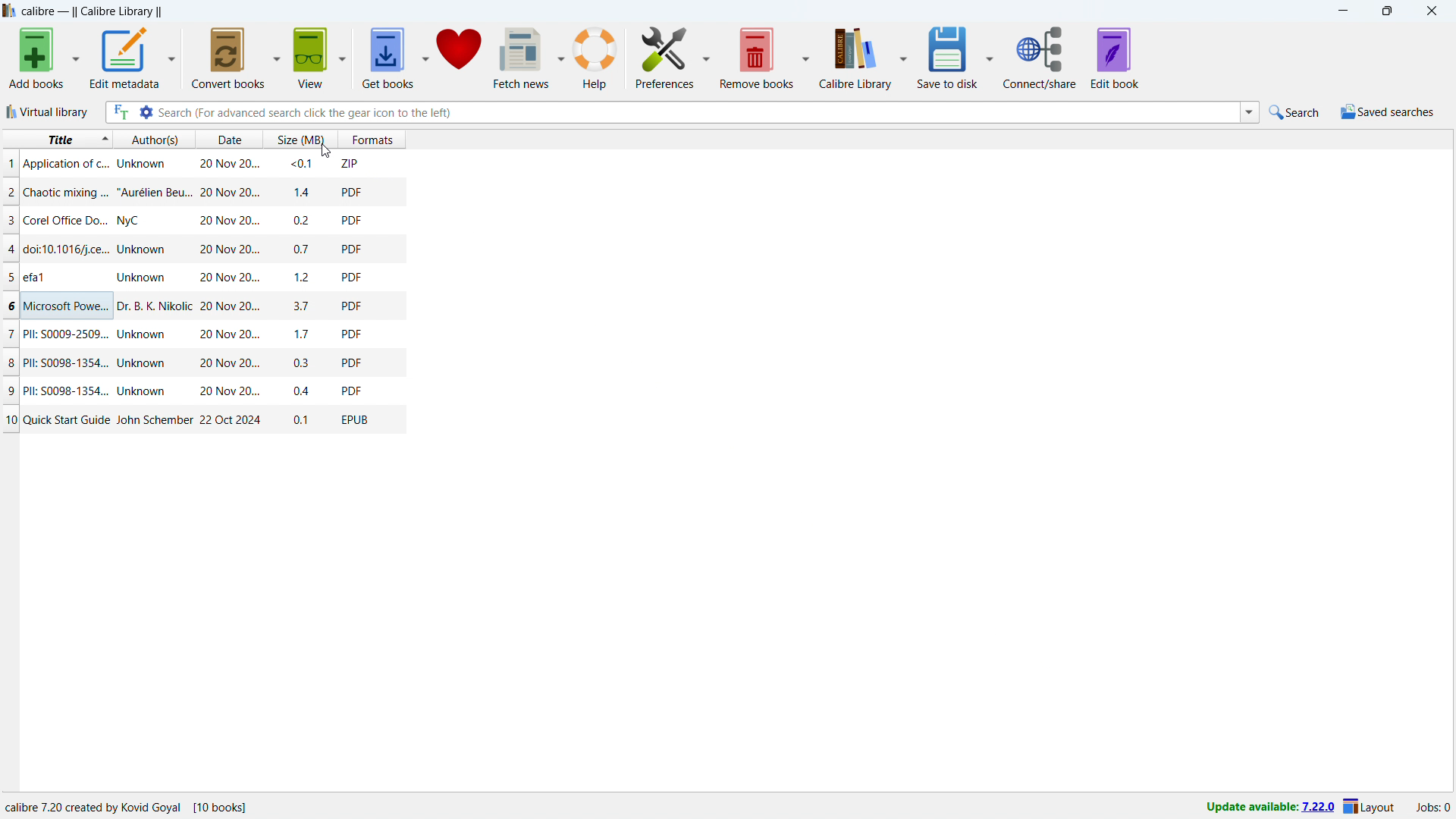  Describe the element at coordinates (460, 57) in the screenshot. I see `donate to calibre` at that location.